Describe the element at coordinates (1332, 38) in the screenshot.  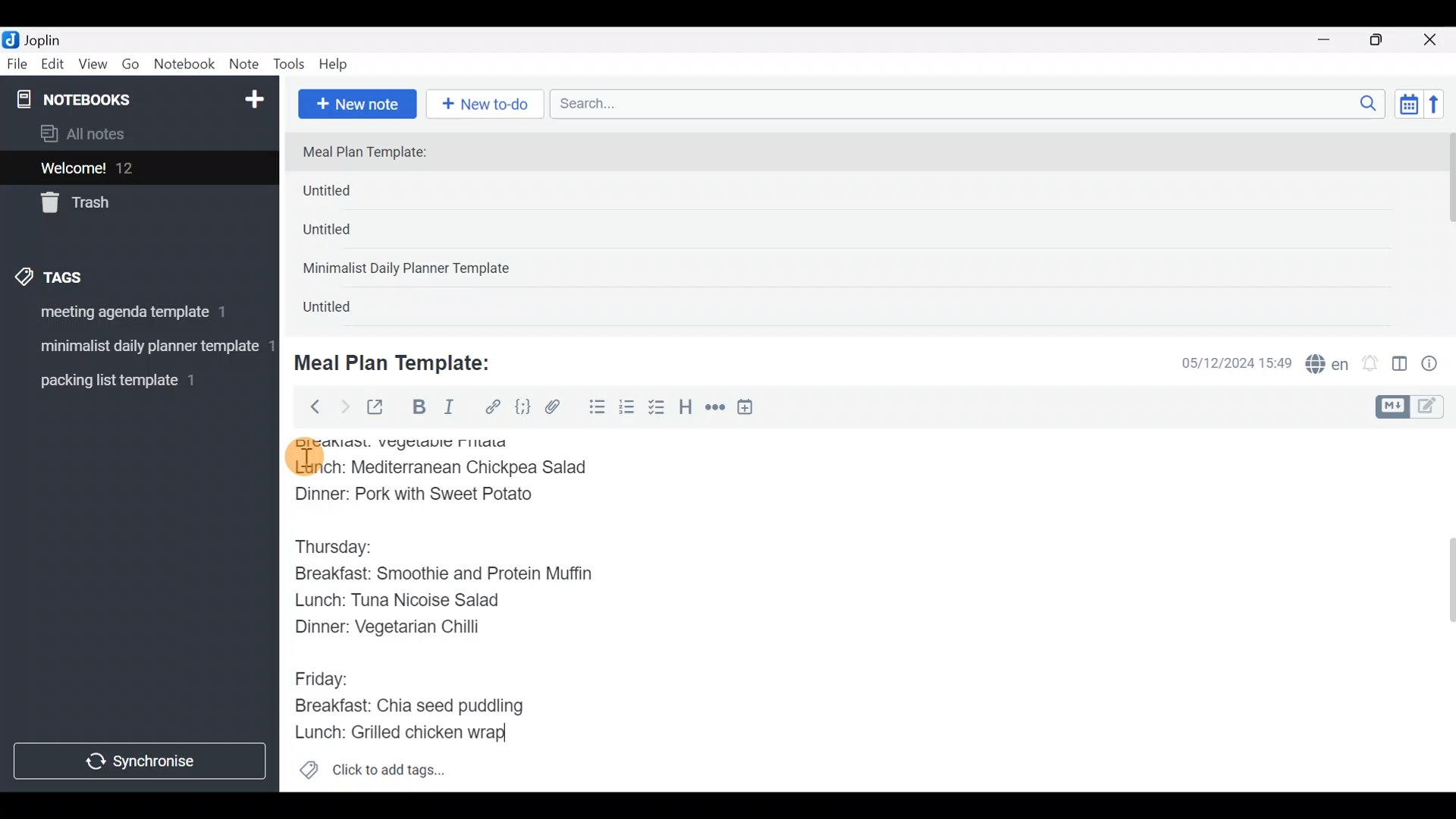
I see `Minimize` at that location.